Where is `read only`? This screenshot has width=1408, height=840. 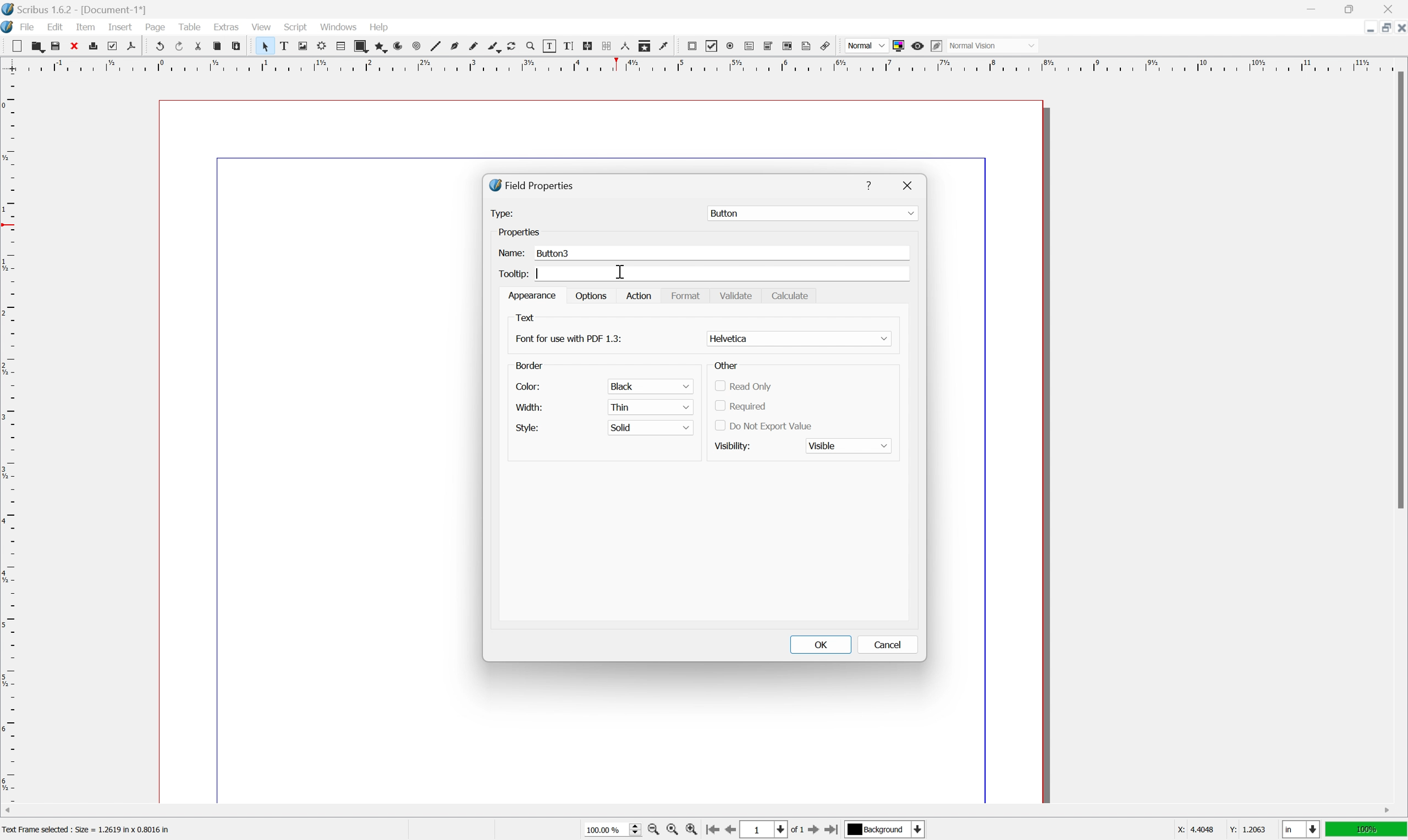
read only is located at coordinates (744, 386).